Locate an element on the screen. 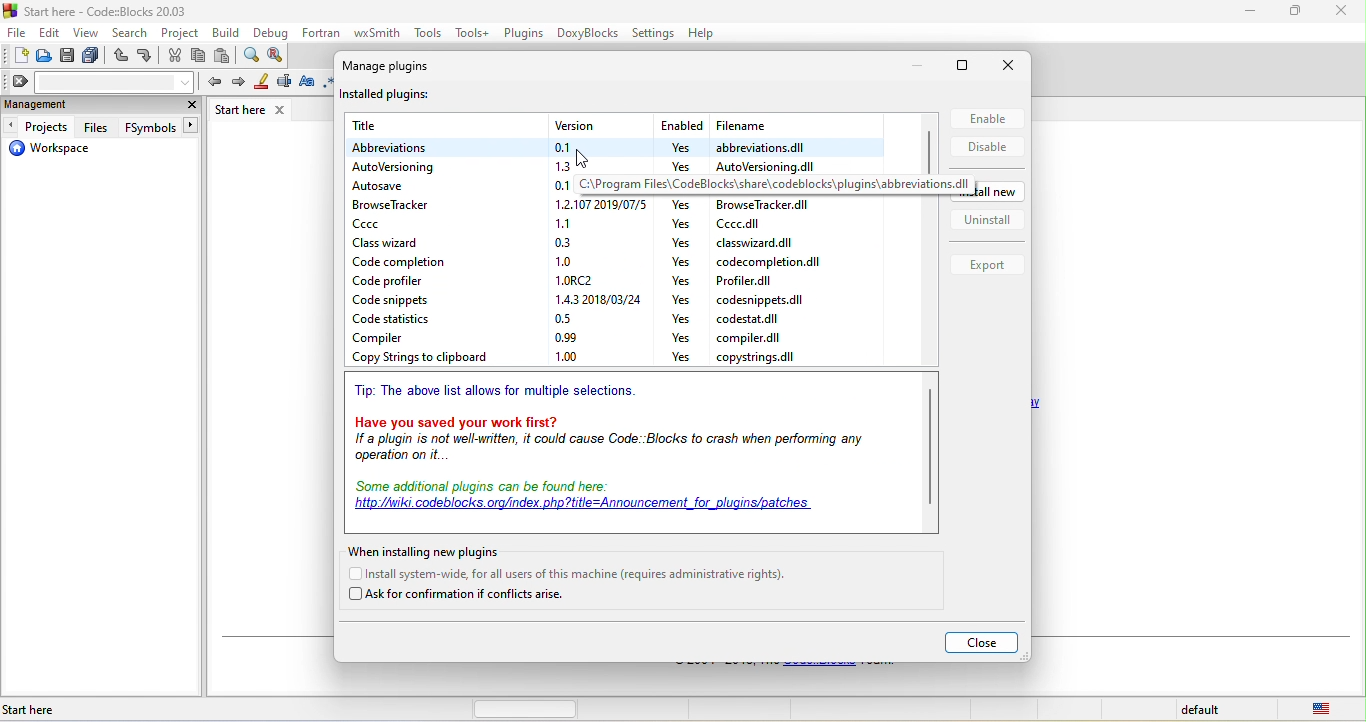 Image resolution: width=1366 pixels, height=722 pixels. copy is located at coordinates (198, 55).